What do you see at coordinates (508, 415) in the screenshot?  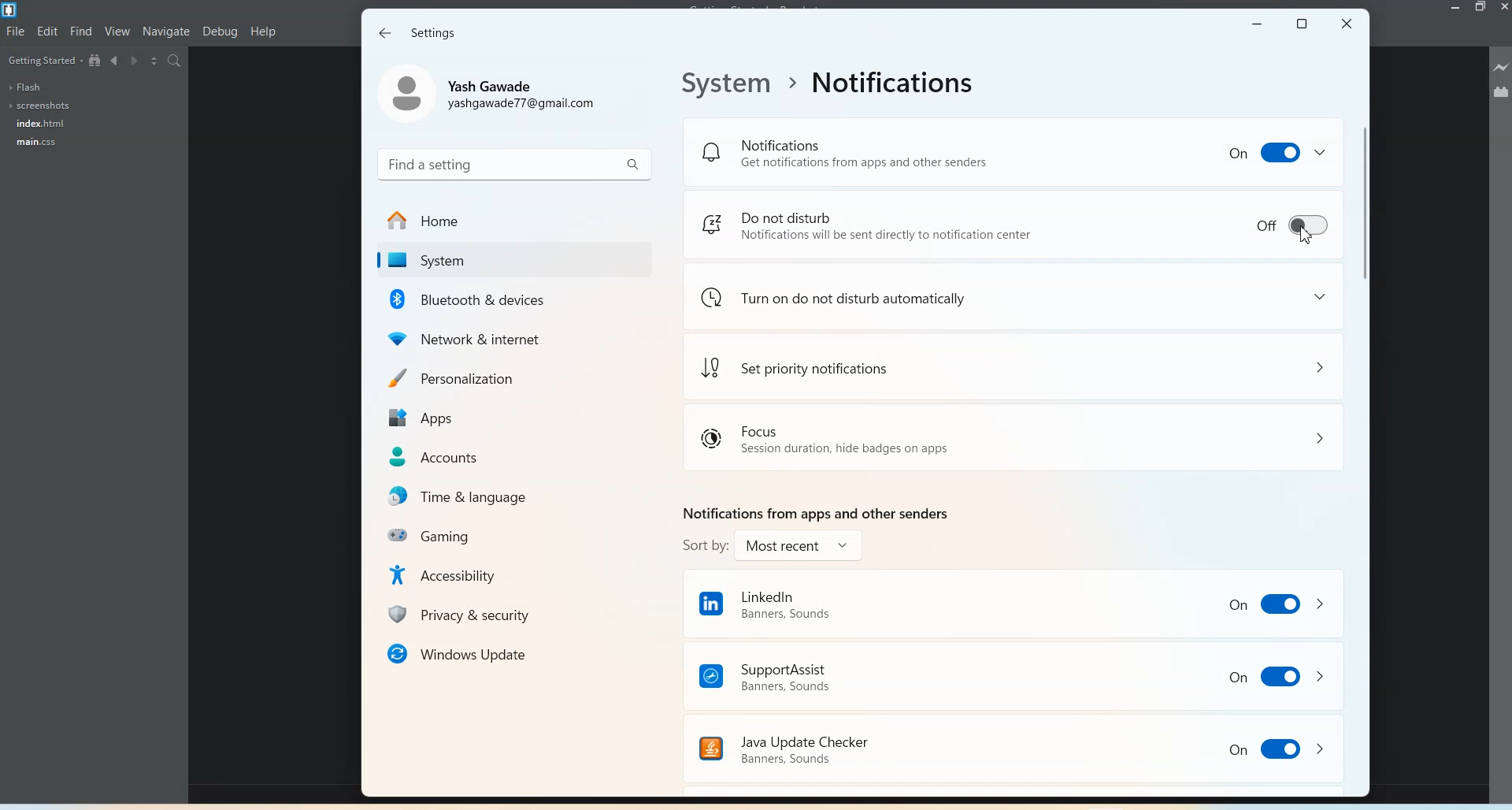 I see `Apps` at bounding box center [508, 415].